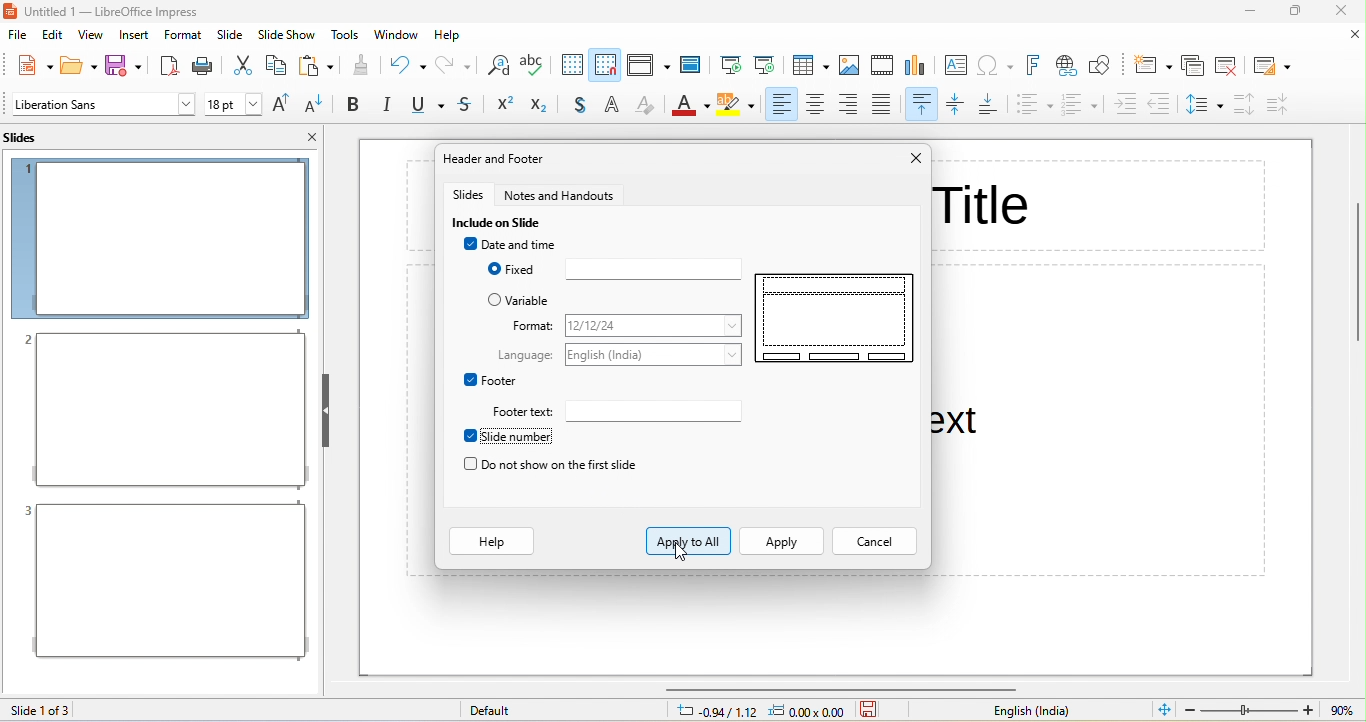 The width and height of the screenshot is (1366, 722). What do you see at coordinates (888, 105) in the screenshot?
I see `justified` at bounding box center [888, 105].